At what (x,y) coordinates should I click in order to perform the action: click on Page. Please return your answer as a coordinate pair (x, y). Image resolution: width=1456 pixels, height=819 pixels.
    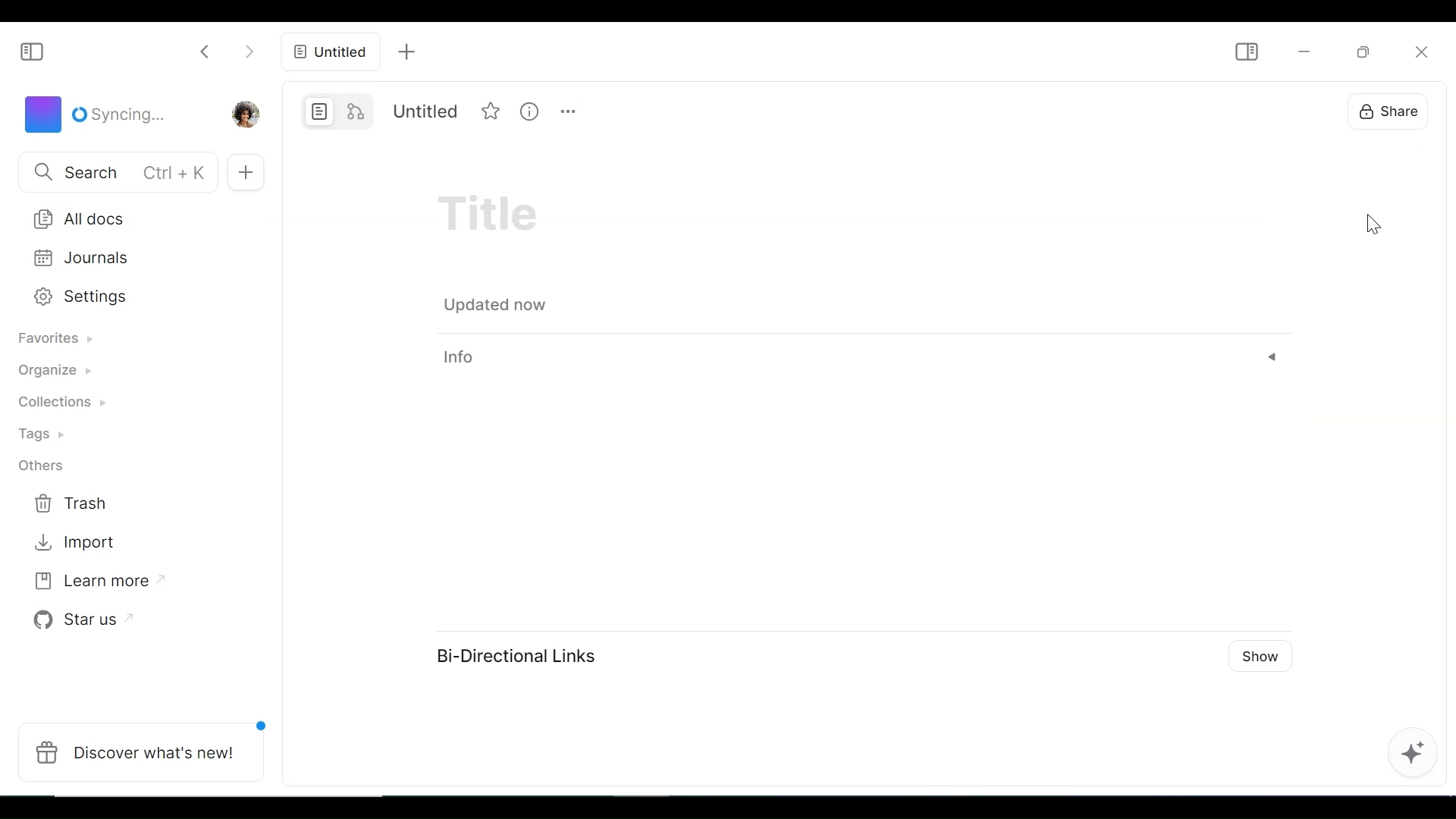
    Looking at the image, I should click on (319, 111).